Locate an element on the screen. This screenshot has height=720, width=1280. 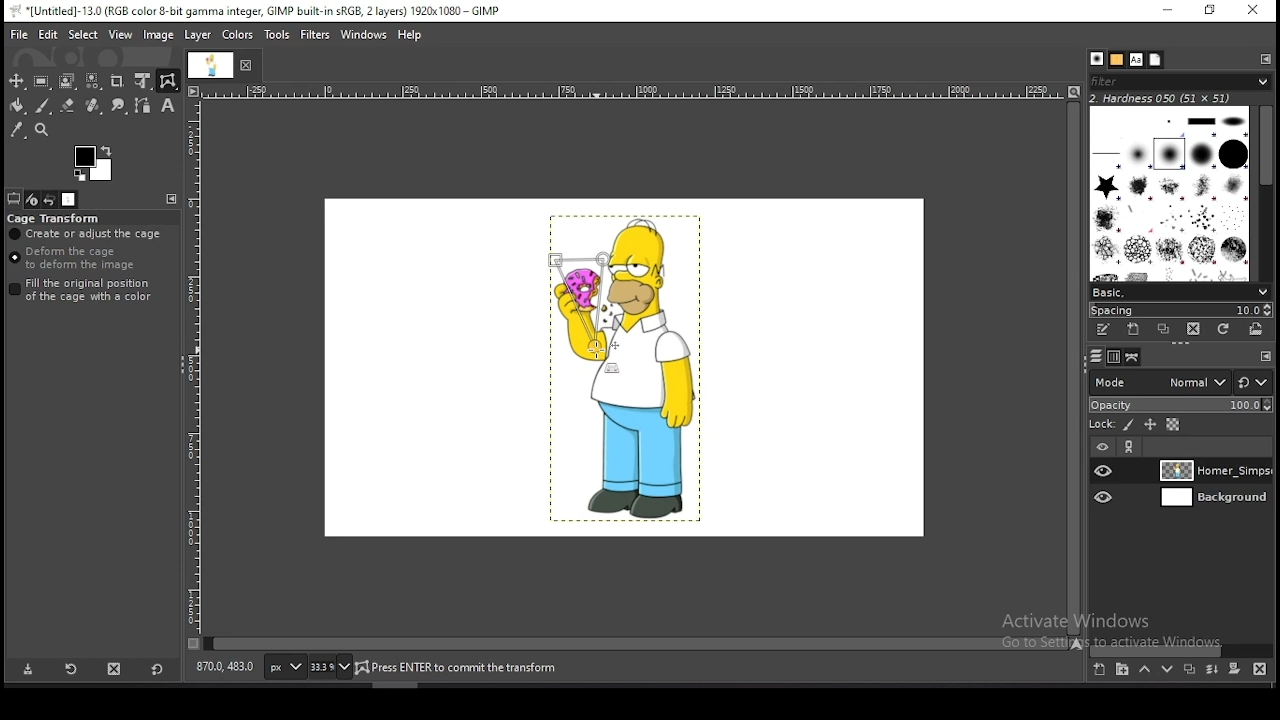
opacity is located at coordinates (1180, 404).